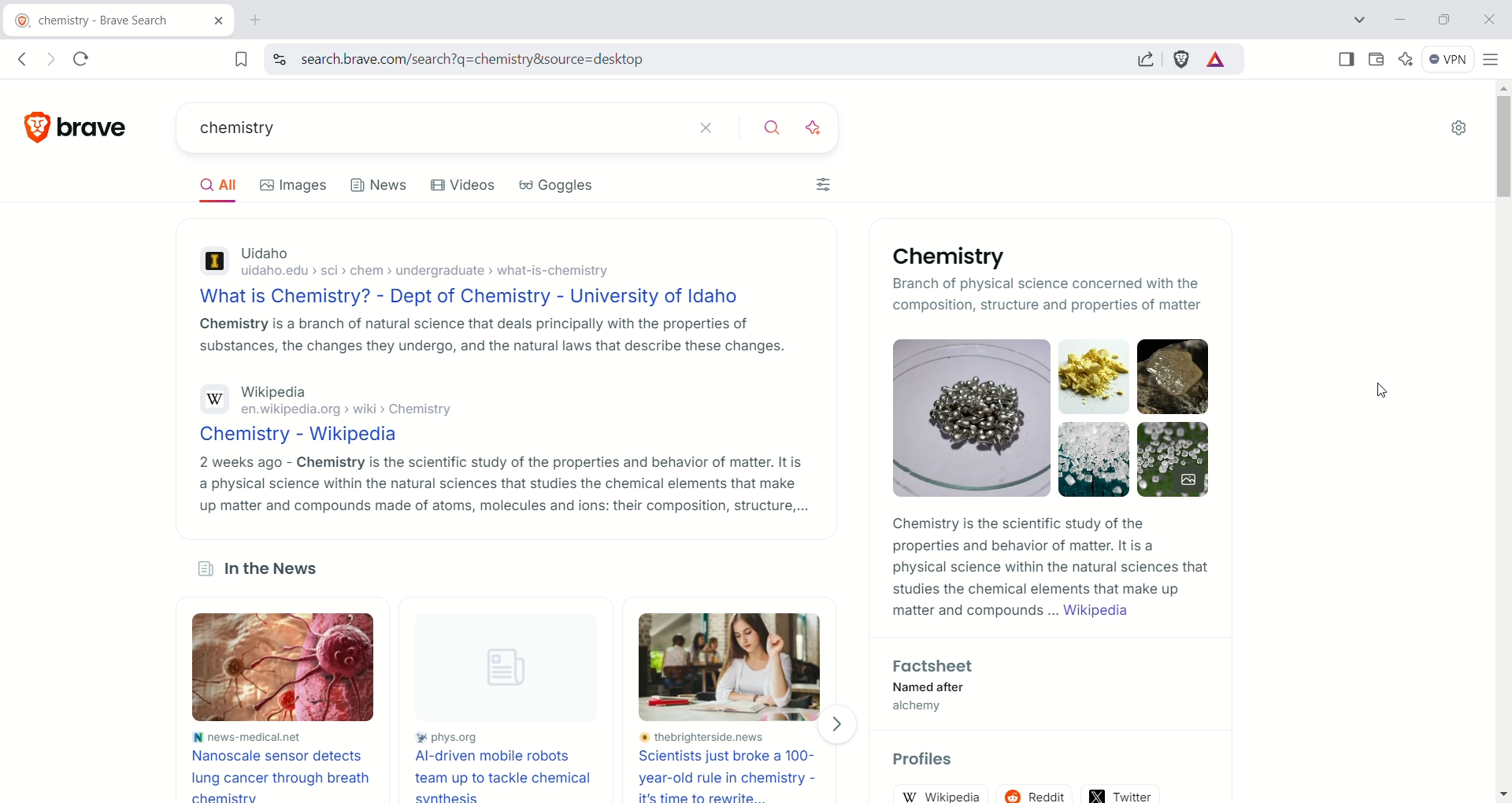  What do you see at coordinates (21, 60) in the screenshot?
I see `go back` at bounding box center [21, 60].